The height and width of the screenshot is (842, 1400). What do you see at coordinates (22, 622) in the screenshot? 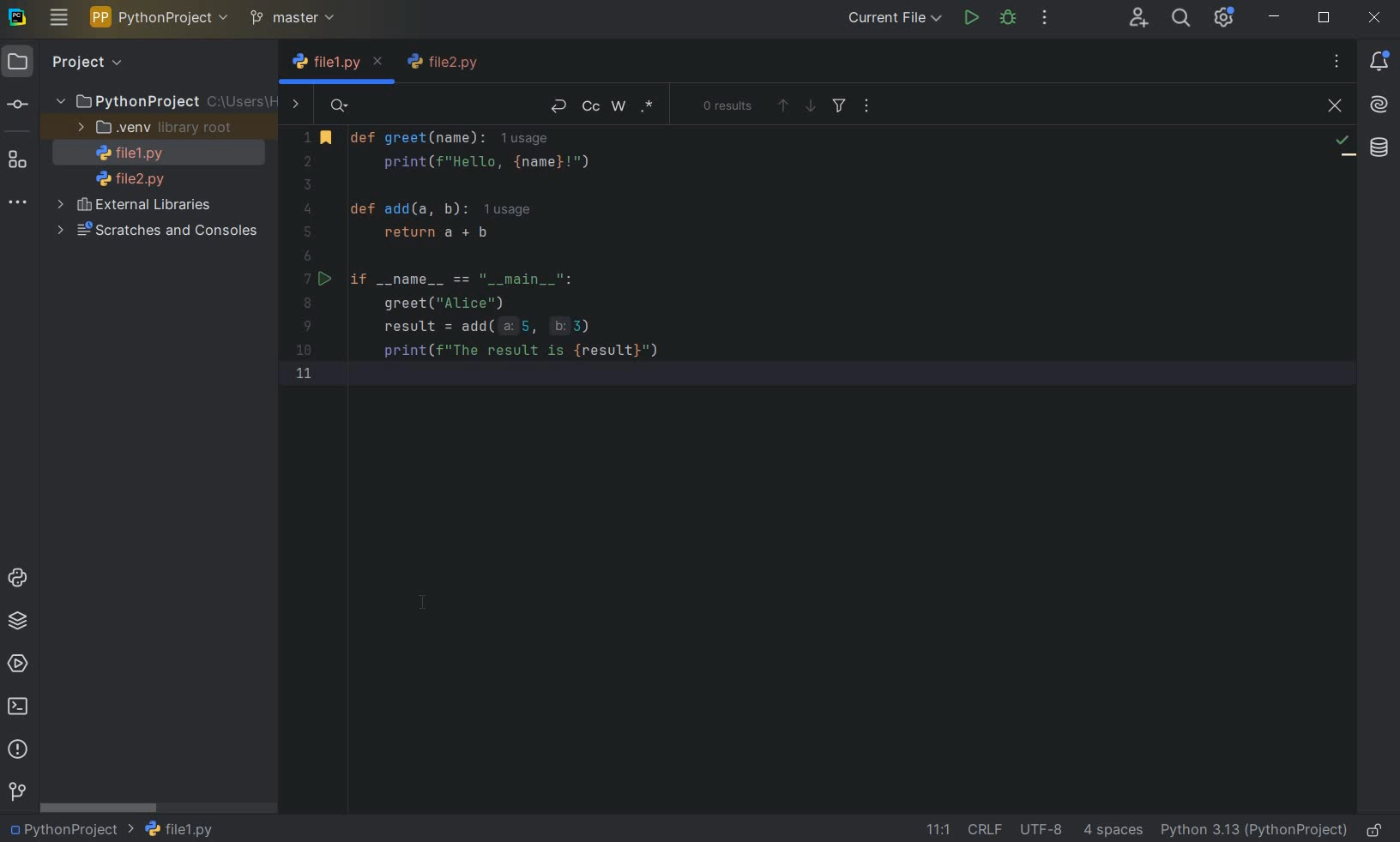
I see `PYTHON PACKAGES` at bounding box center [22, 622].